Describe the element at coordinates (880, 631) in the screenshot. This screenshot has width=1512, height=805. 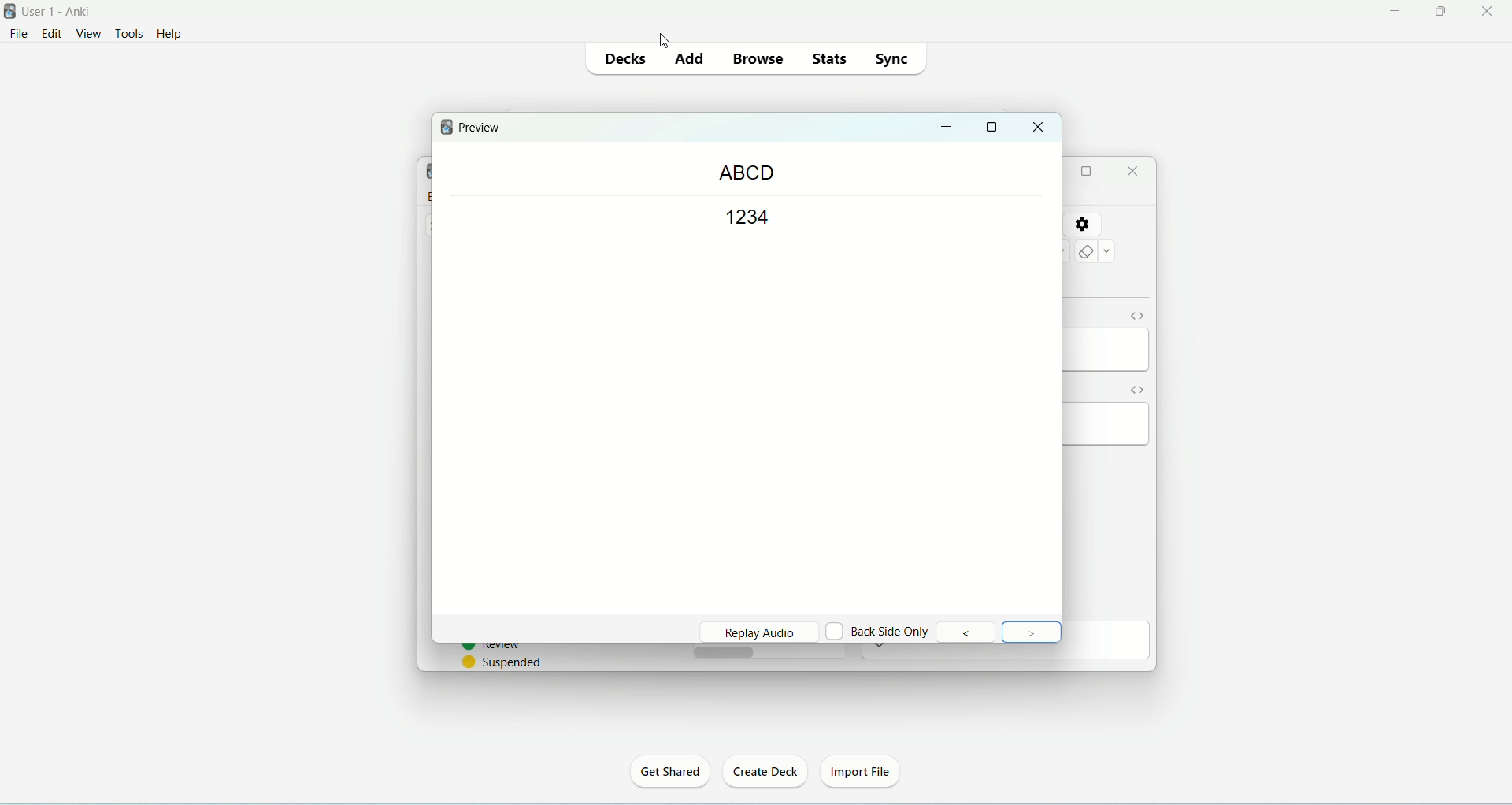
I see `back side only` at that location.